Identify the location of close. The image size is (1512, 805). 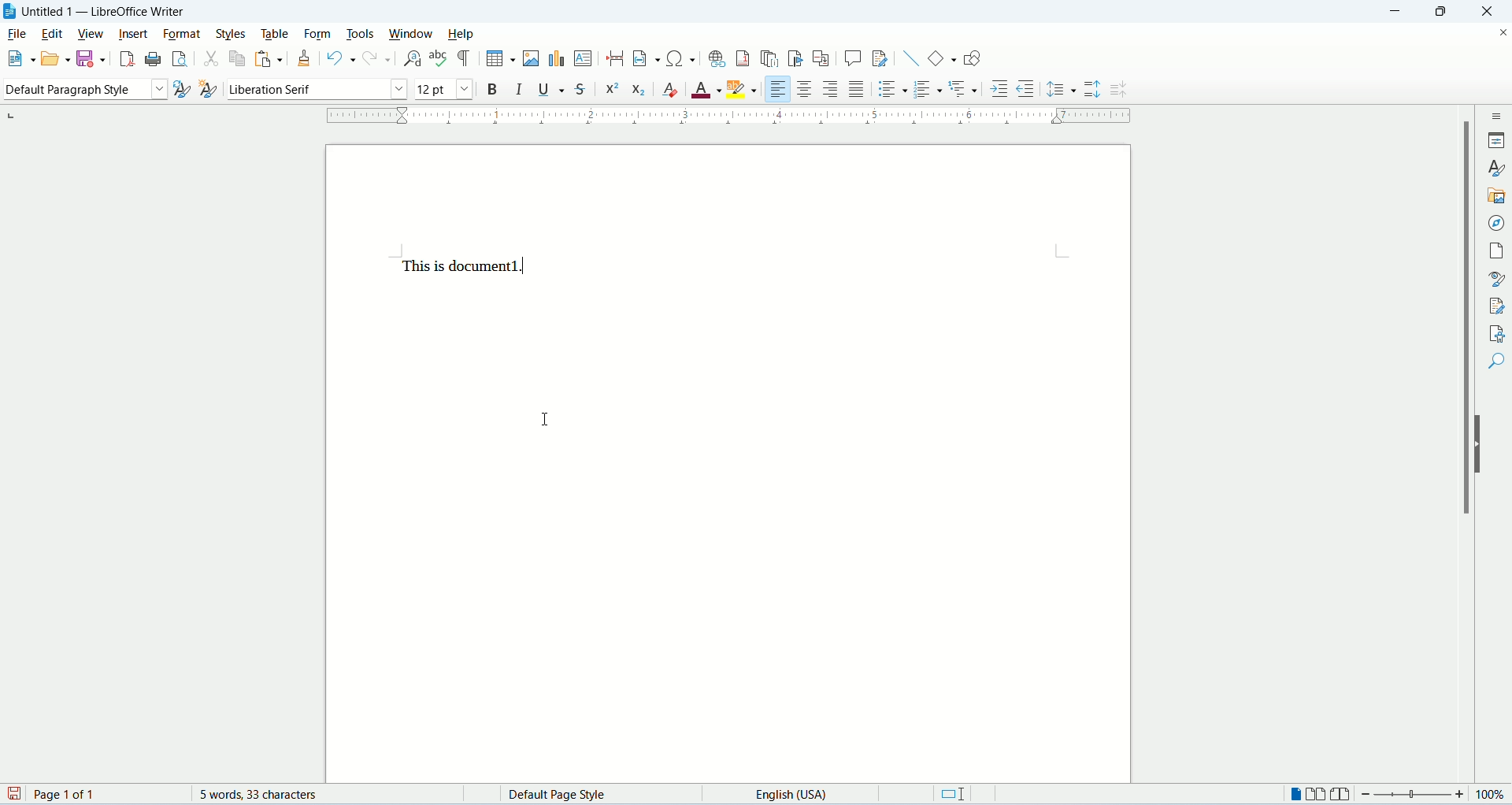
(1492, 11).